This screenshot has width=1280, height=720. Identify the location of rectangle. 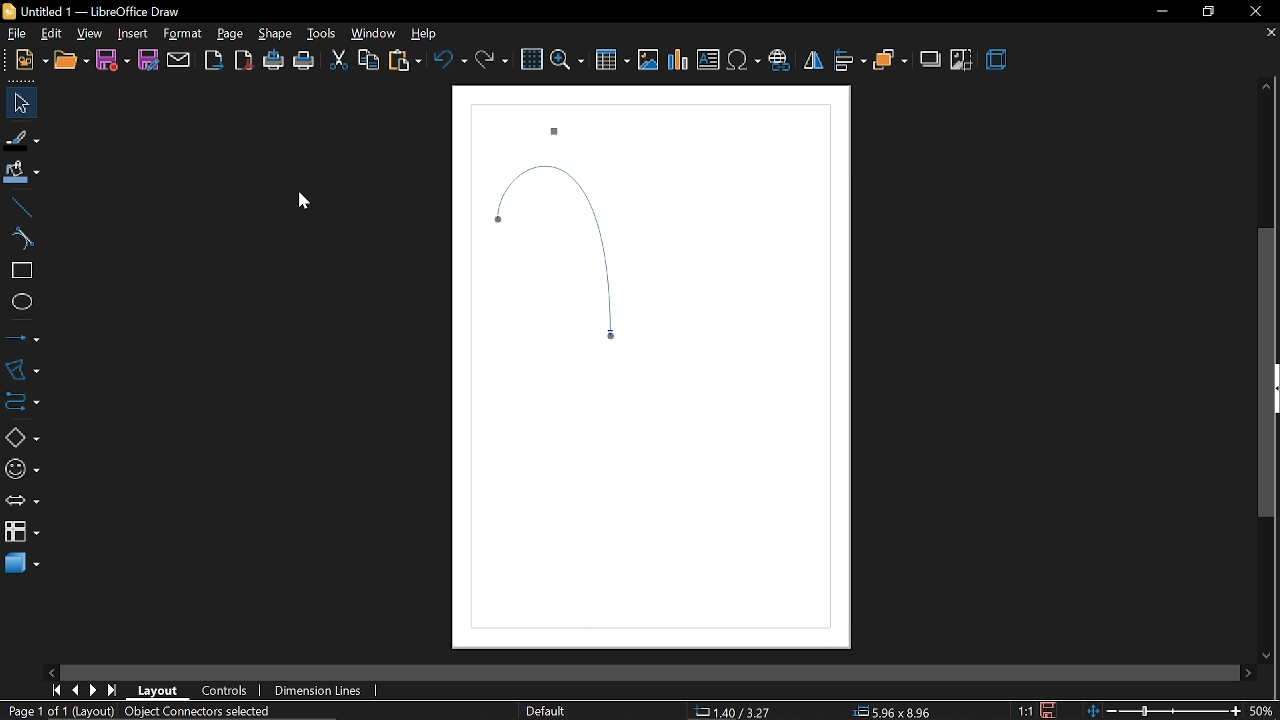
(18, 271).